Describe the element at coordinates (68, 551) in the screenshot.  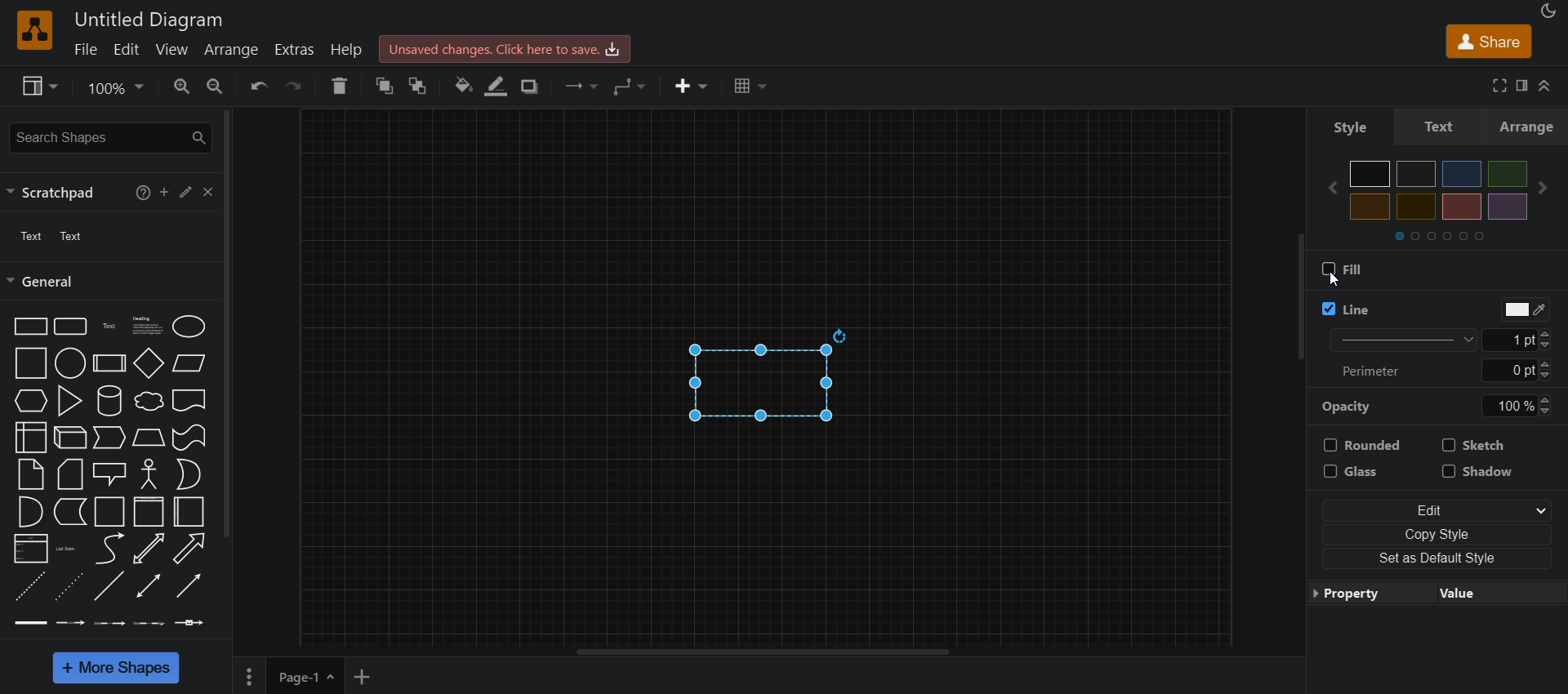
I see `list item` at that location.